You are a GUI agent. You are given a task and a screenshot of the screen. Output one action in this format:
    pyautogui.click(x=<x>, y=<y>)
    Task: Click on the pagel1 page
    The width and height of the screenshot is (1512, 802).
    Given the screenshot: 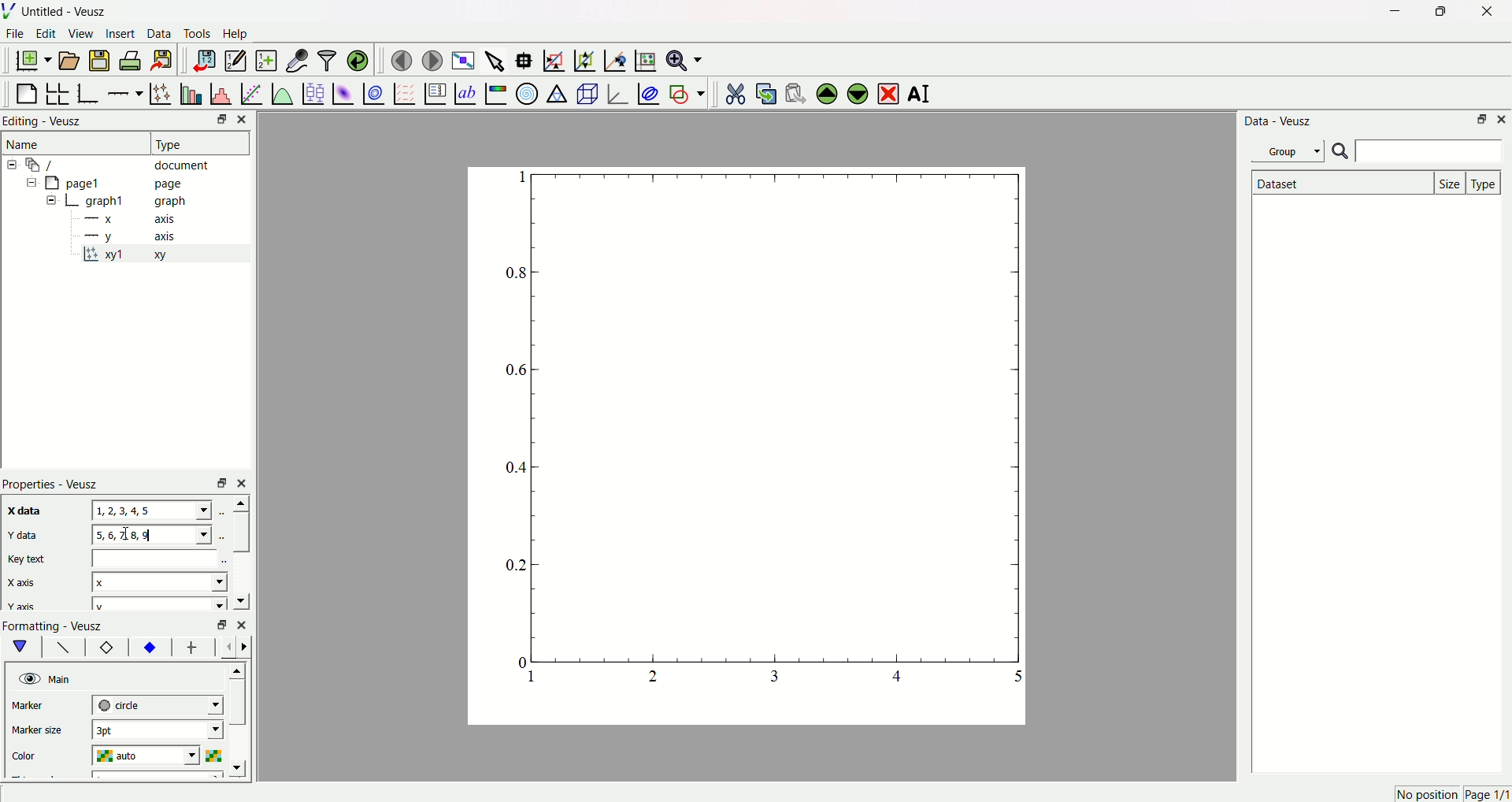 What is the action you would take?
    pyautogui.click(x=126, y=183)
    